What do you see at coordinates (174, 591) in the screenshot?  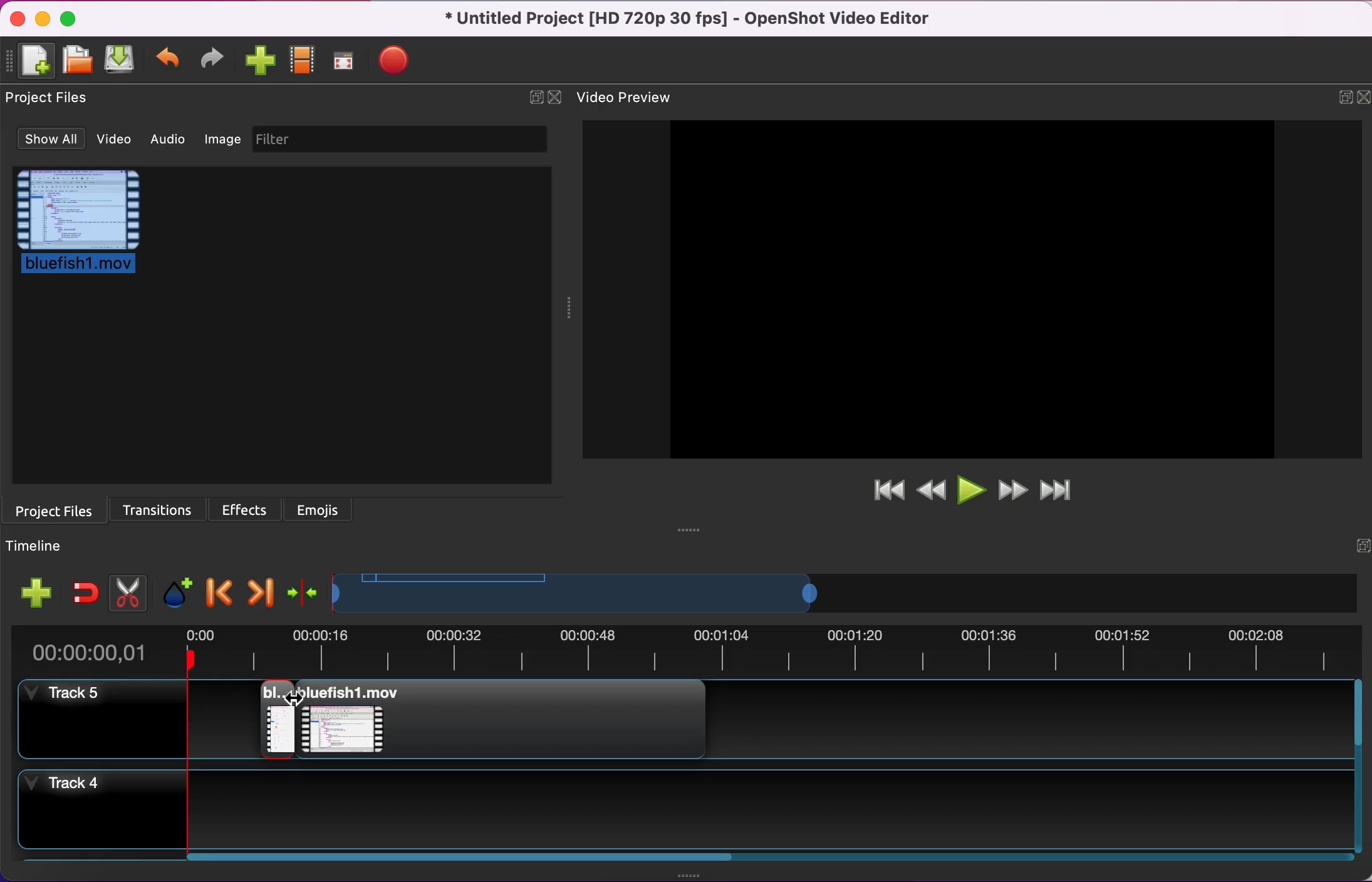 I see `add marker` at bounding box center [174, 591].